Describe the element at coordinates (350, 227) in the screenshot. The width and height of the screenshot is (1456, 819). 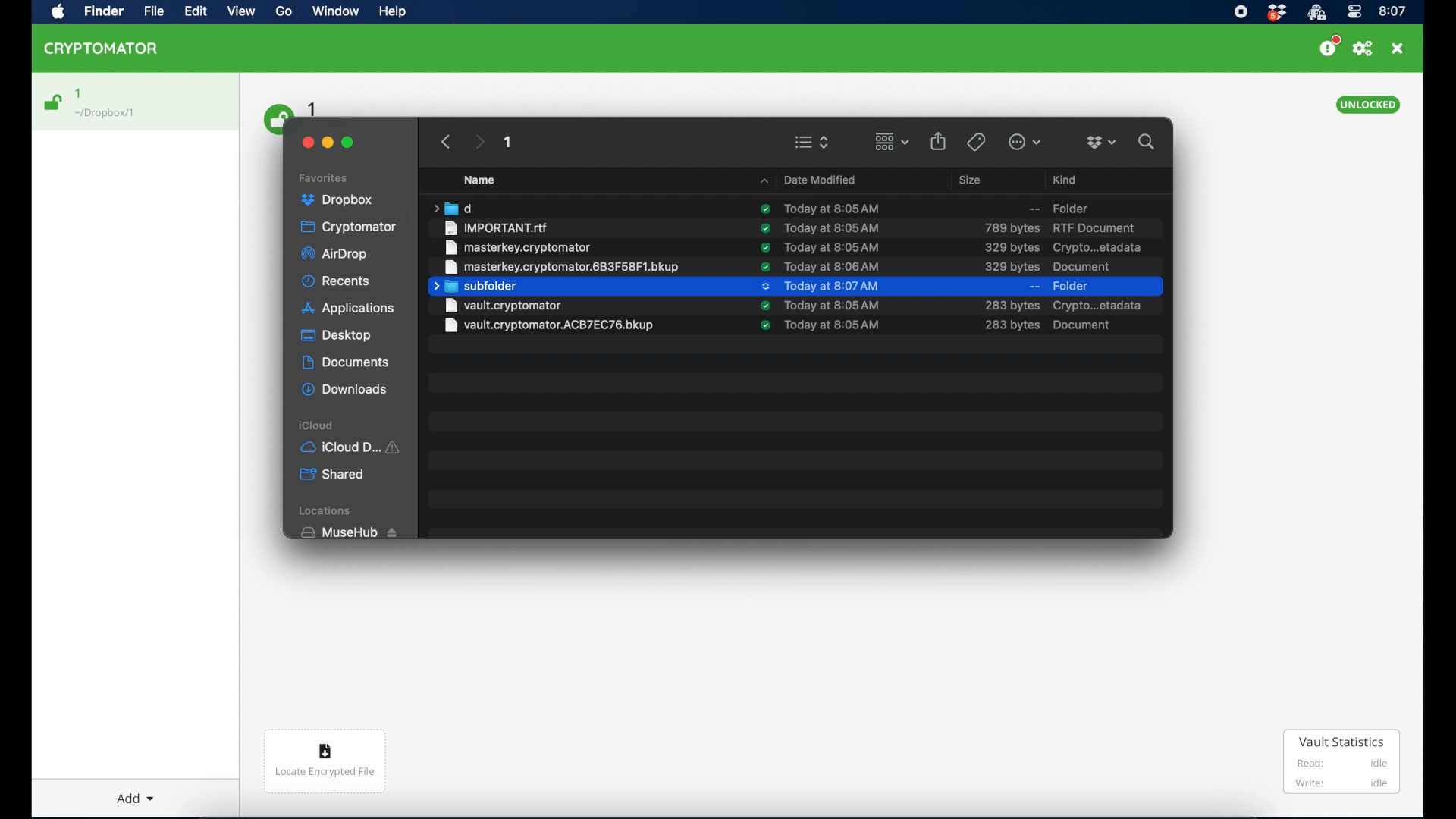
I see `cryptomator` at that location.